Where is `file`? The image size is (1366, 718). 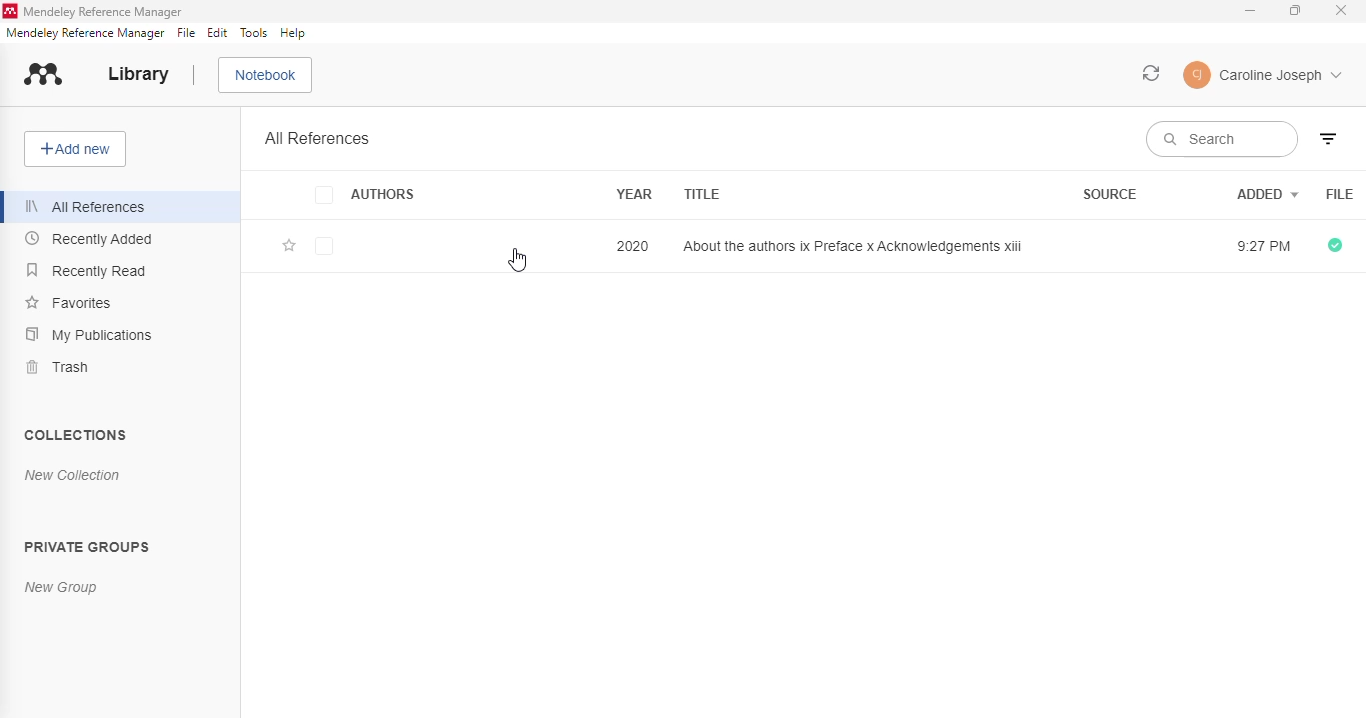
file is located at coordinates (1339, 194).